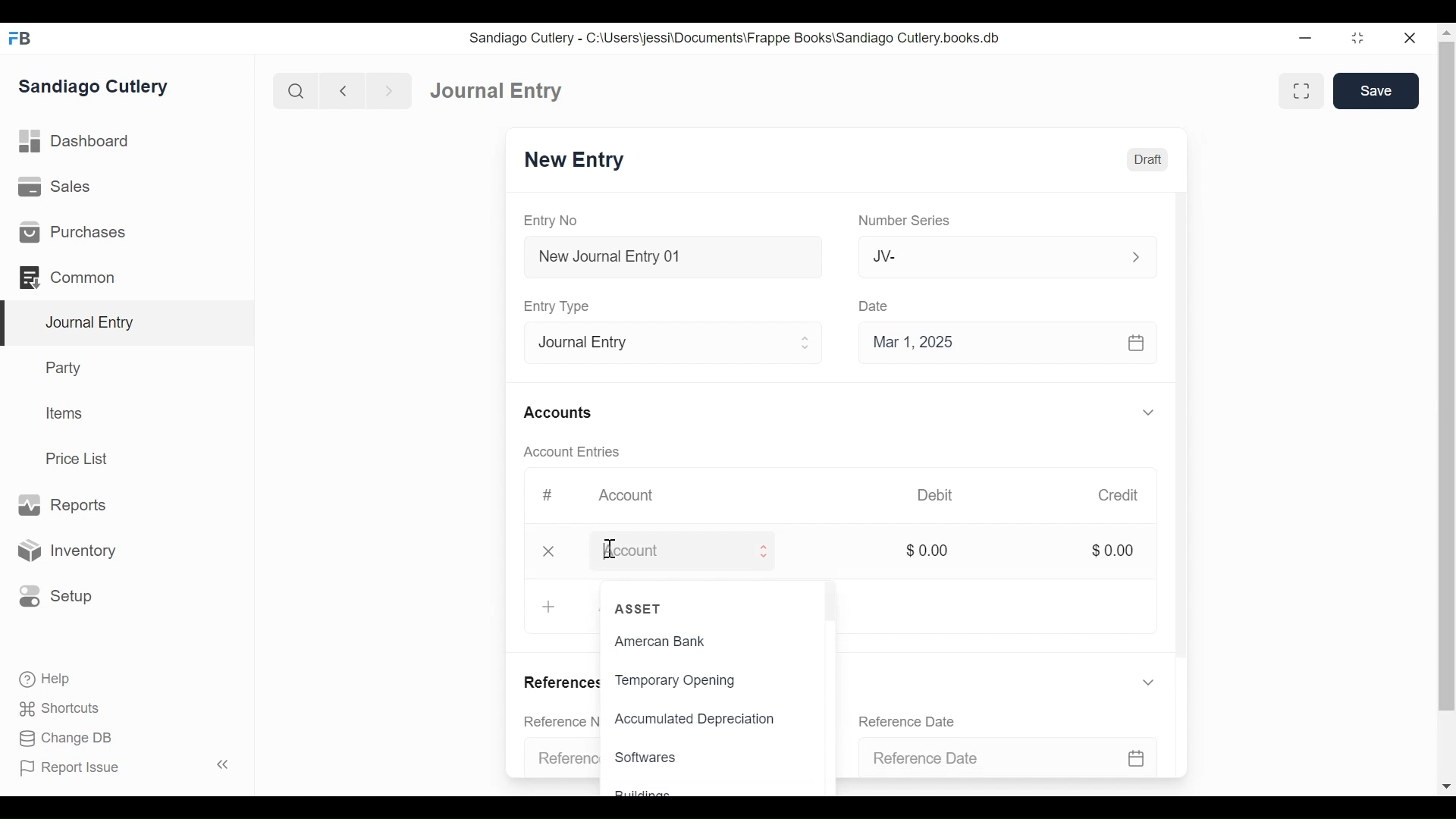 The width and height of the screenshot is (1456, 819). I want to click on Softwares, so click(652, 757).